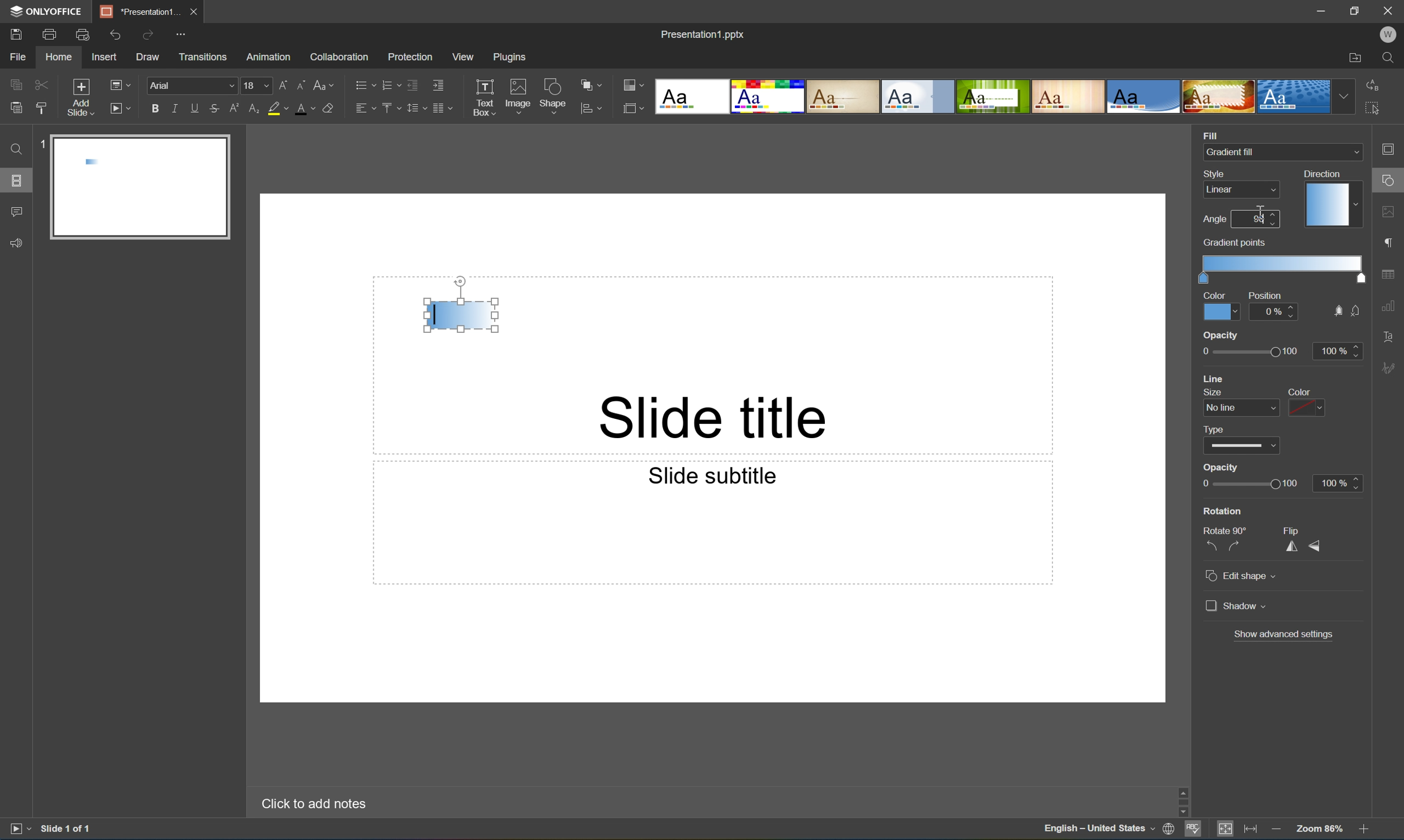 This screenshot has height=840, width=1404. What do you see at coordinates (1210, 392) in the screenshot?
I see `size` at bounding box center [1210, 392].